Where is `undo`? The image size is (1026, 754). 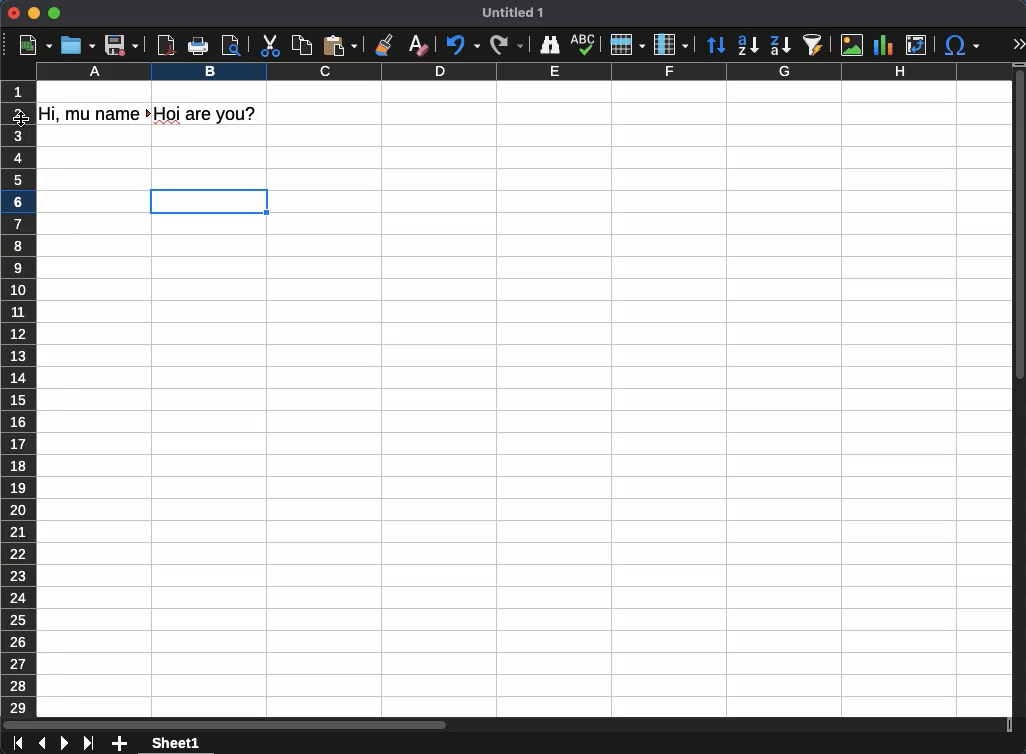 undo is located at coordinates (466, 44).